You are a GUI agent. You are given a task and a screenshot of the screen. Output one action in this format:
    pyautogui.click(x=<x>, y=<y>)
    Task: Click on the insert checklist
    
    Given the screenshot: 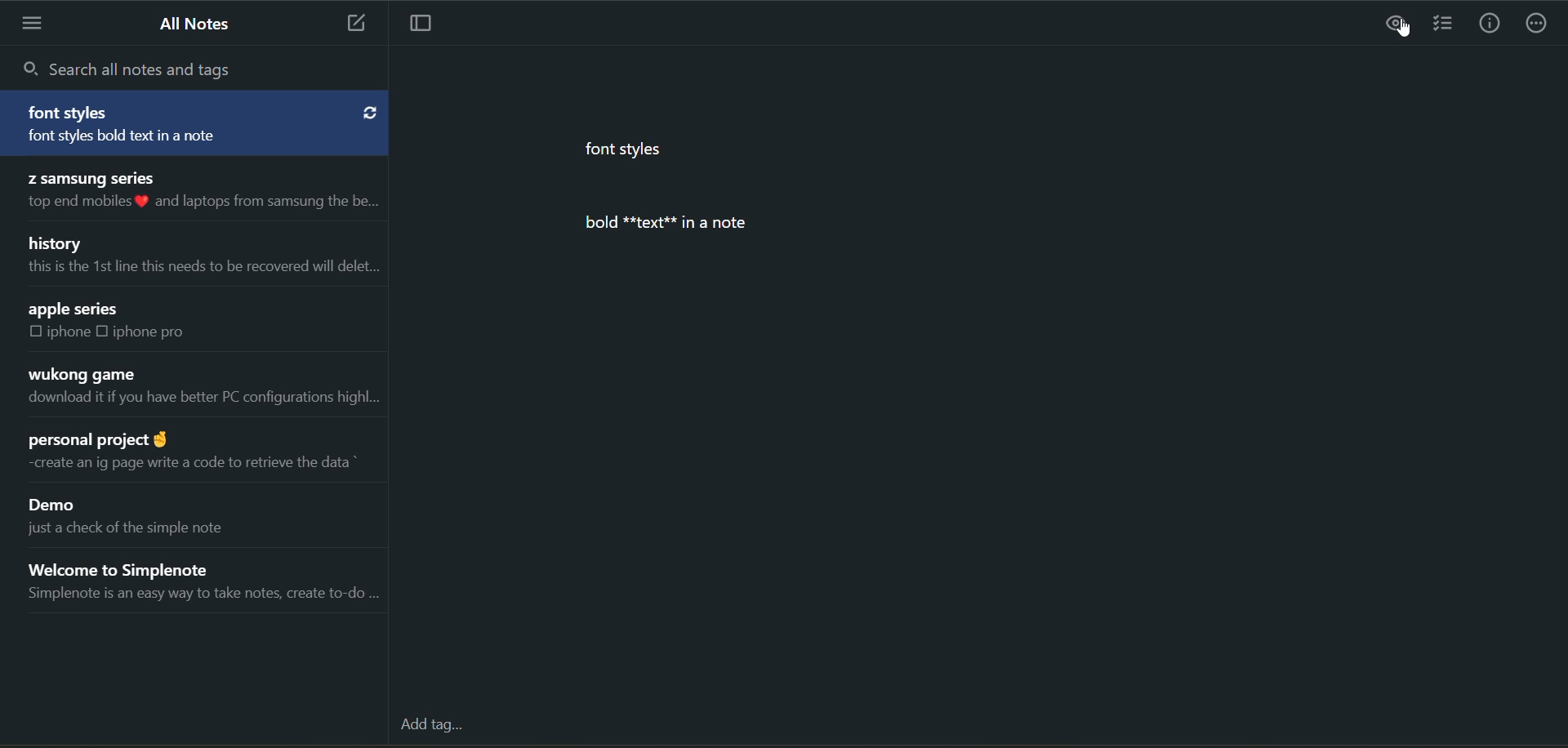 What is the action you would take?
    pyautogui.click(x=1443, y=25)
    